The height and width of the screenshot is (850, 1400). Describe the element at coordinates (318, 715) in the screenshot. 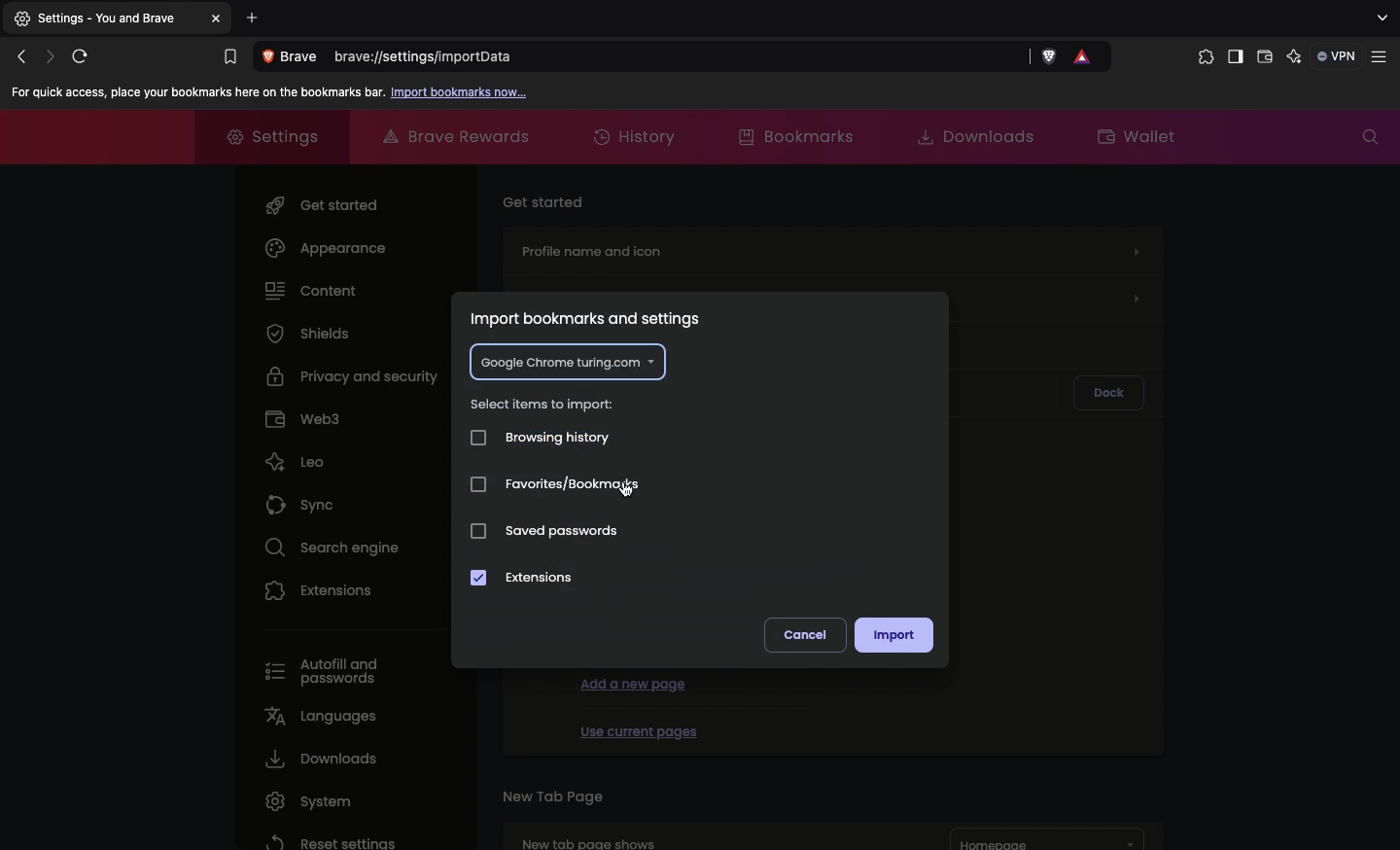

I see `Languages` at that location.